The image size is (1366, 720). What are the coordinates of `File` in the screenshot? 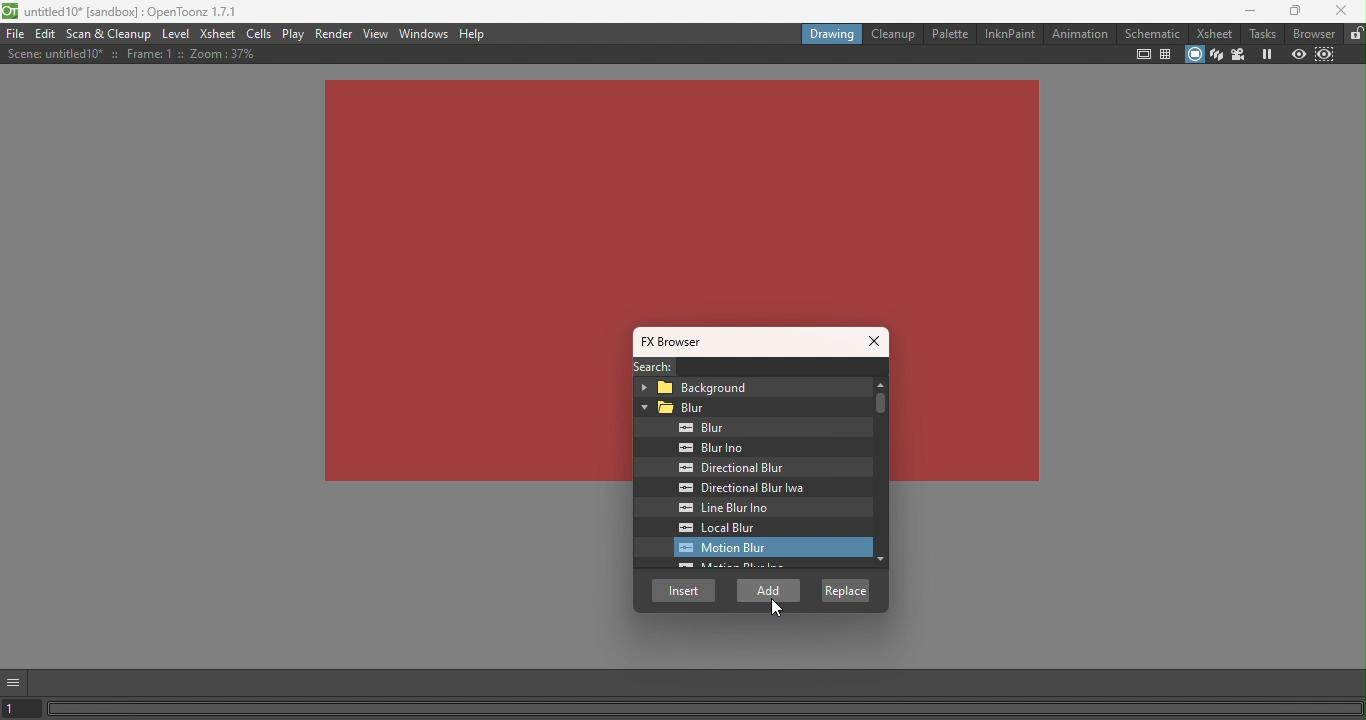 It's located at (15, 34).